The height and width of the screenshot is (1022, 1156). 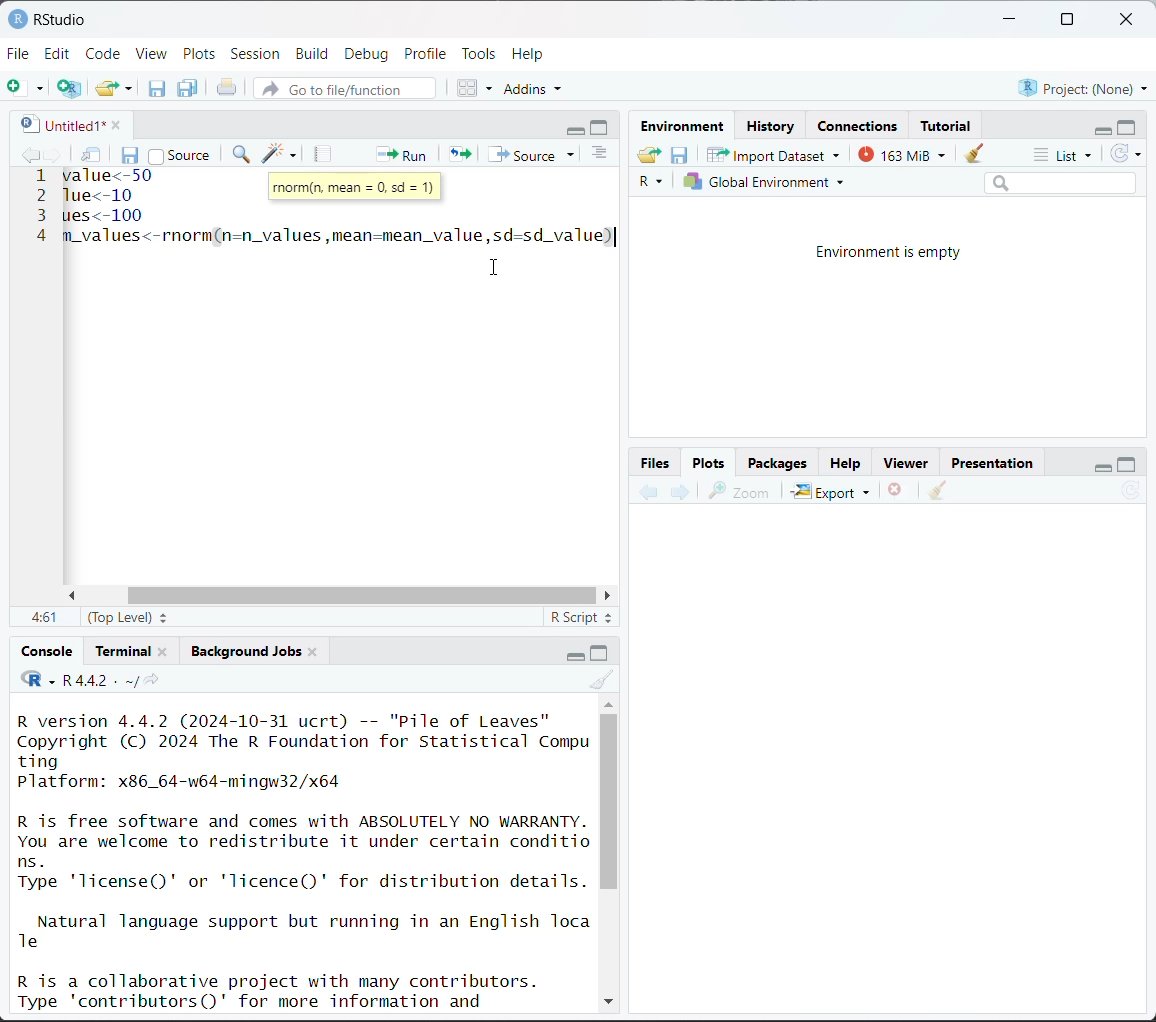 I want to click on load workspace, so click(x=652, y=157).